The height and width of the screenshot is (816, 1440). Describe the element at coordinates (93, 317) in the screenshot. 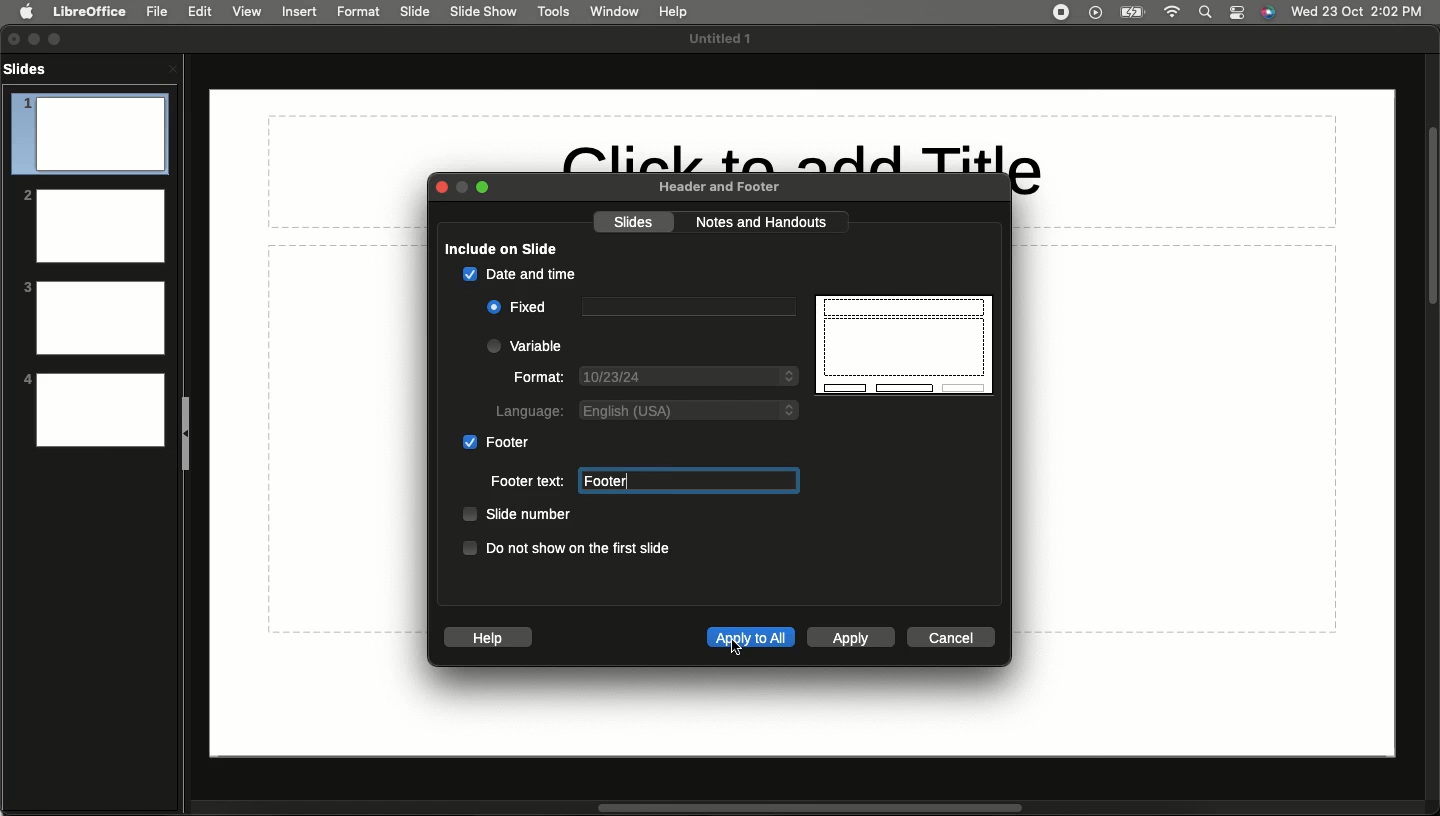

I see `3` at that location.